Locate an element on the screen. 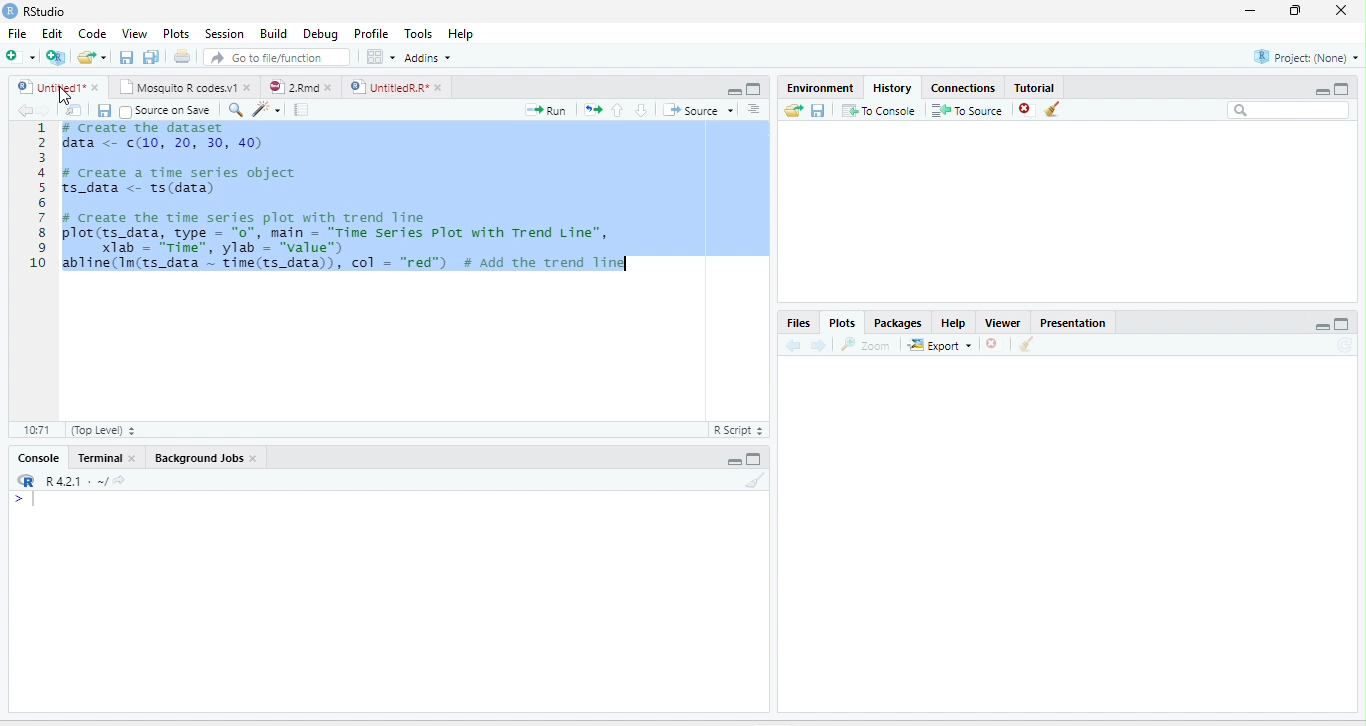 This screenshot has height=726, width=1366. Open recent files is located at coordinates (104, 57).